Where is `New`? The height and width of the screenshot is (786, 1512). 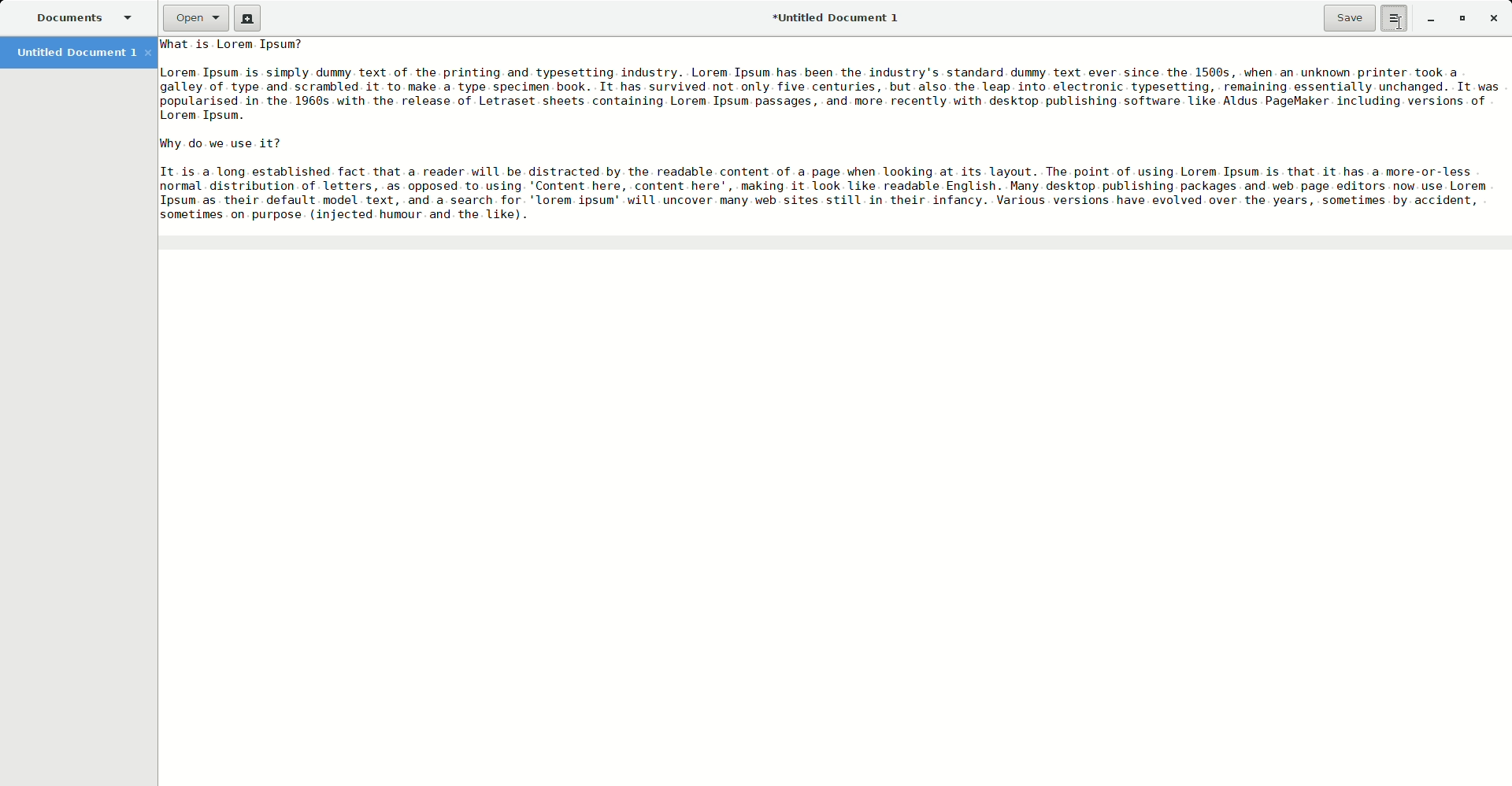
New is located at coordinates (246, 18).